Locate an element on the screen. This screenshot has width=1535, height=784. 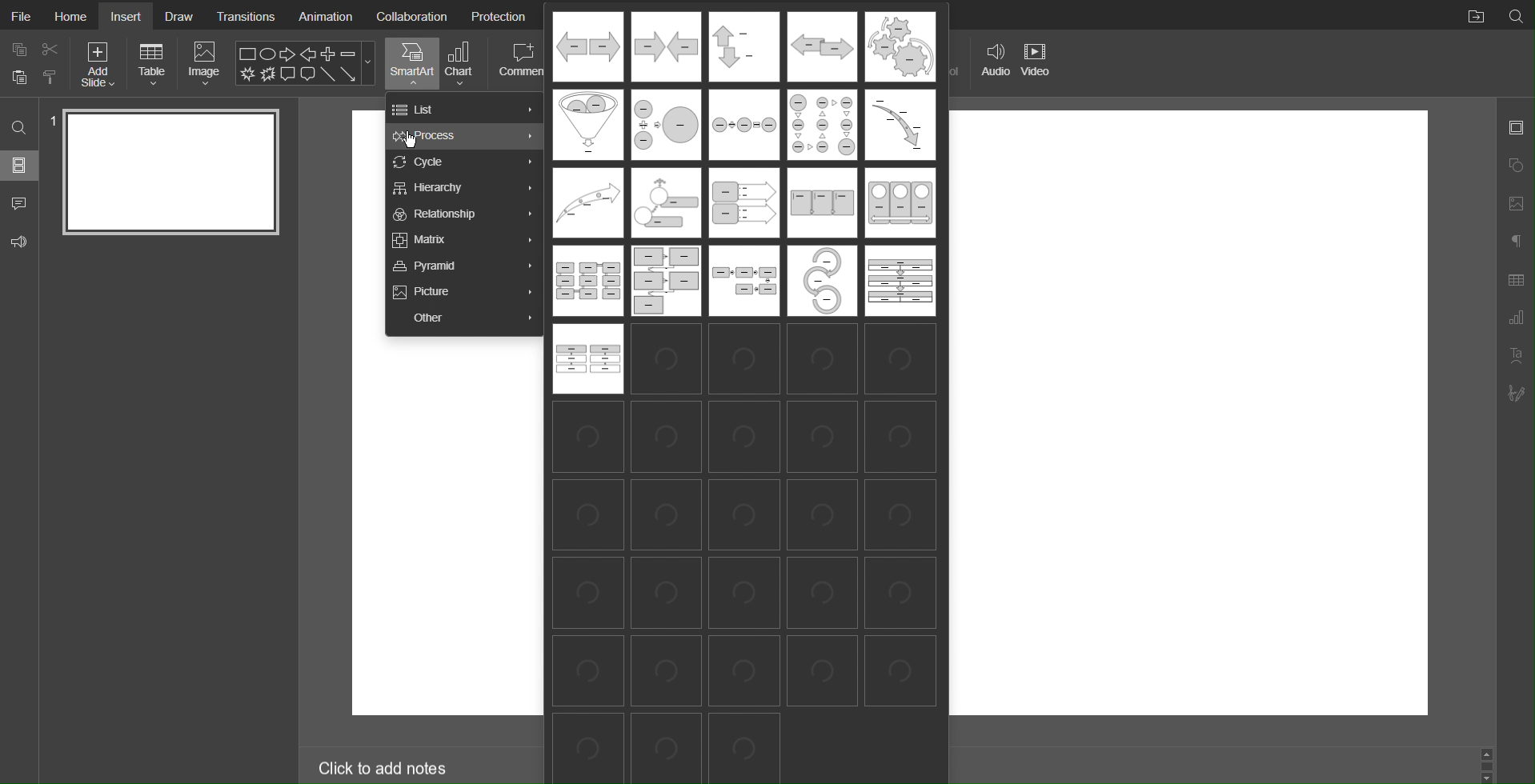
Other is located at coordinates (463, 316).